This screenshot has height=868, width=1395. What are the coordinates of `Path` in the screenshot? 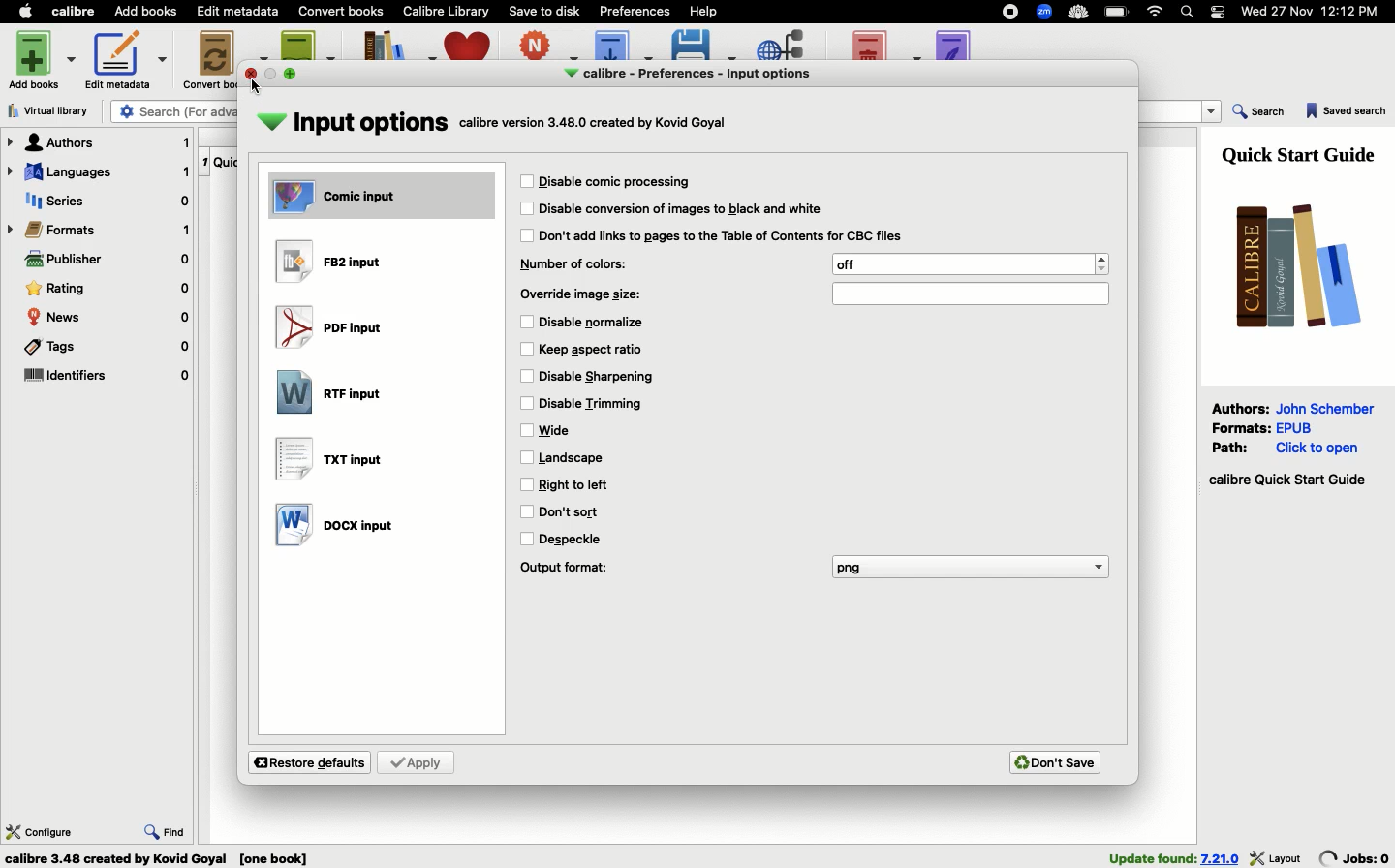 It's located at (1233, 447).